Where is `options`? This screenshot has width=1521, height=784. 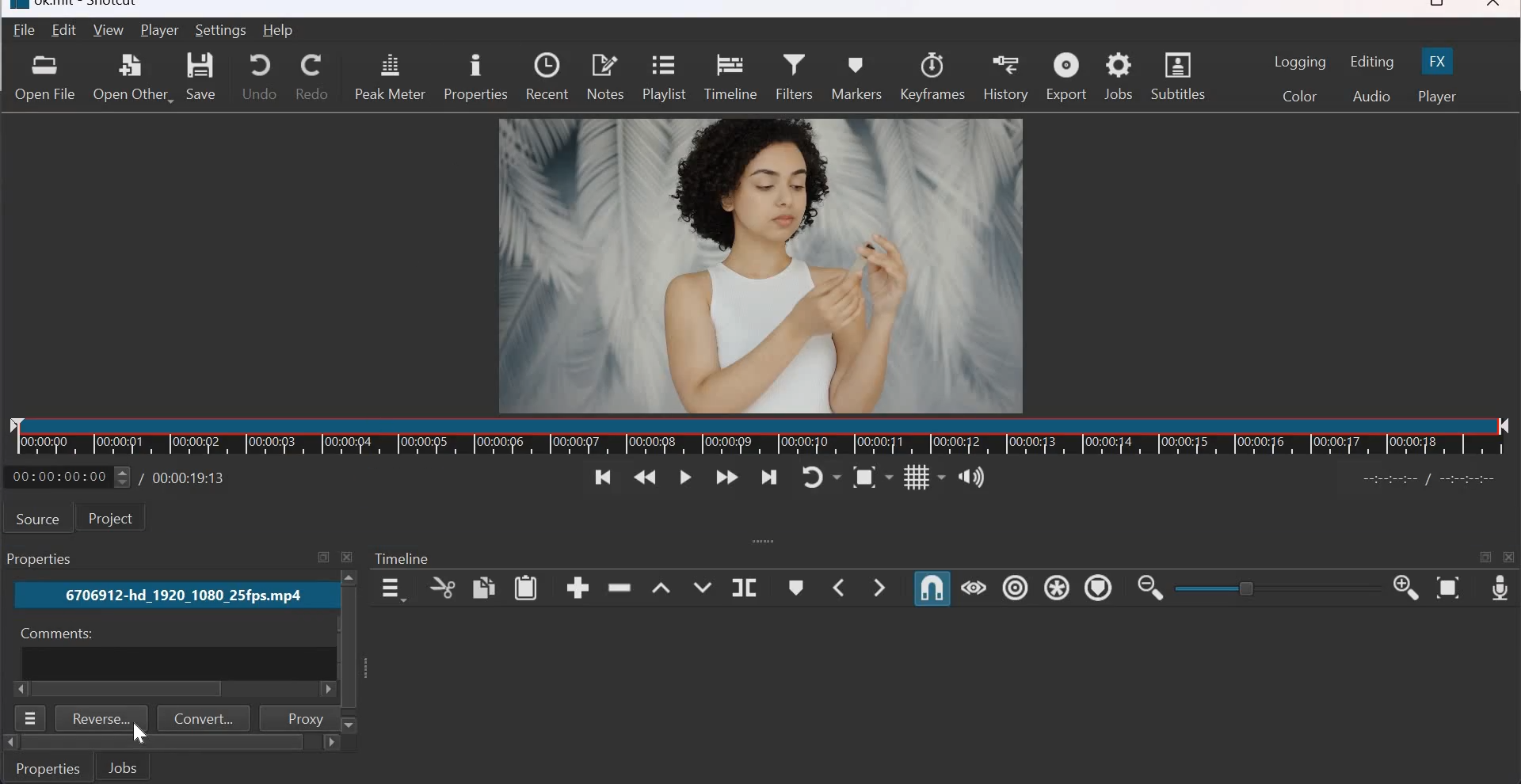
options is located at coordinates (32, 718).